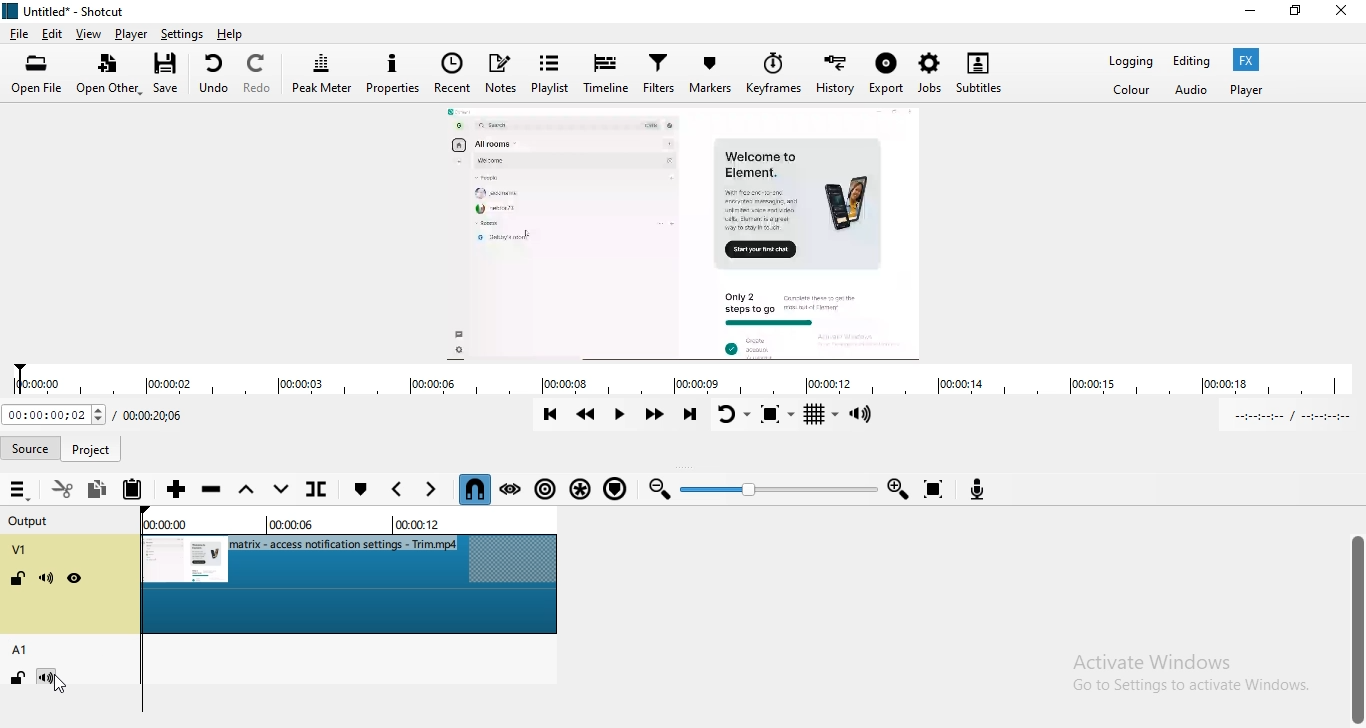 This screenshot has width=1366, height=728. What do you see at coordinates (1247, 91) in the screenshot?
I see `Player` at bounding box center [1247, 91].